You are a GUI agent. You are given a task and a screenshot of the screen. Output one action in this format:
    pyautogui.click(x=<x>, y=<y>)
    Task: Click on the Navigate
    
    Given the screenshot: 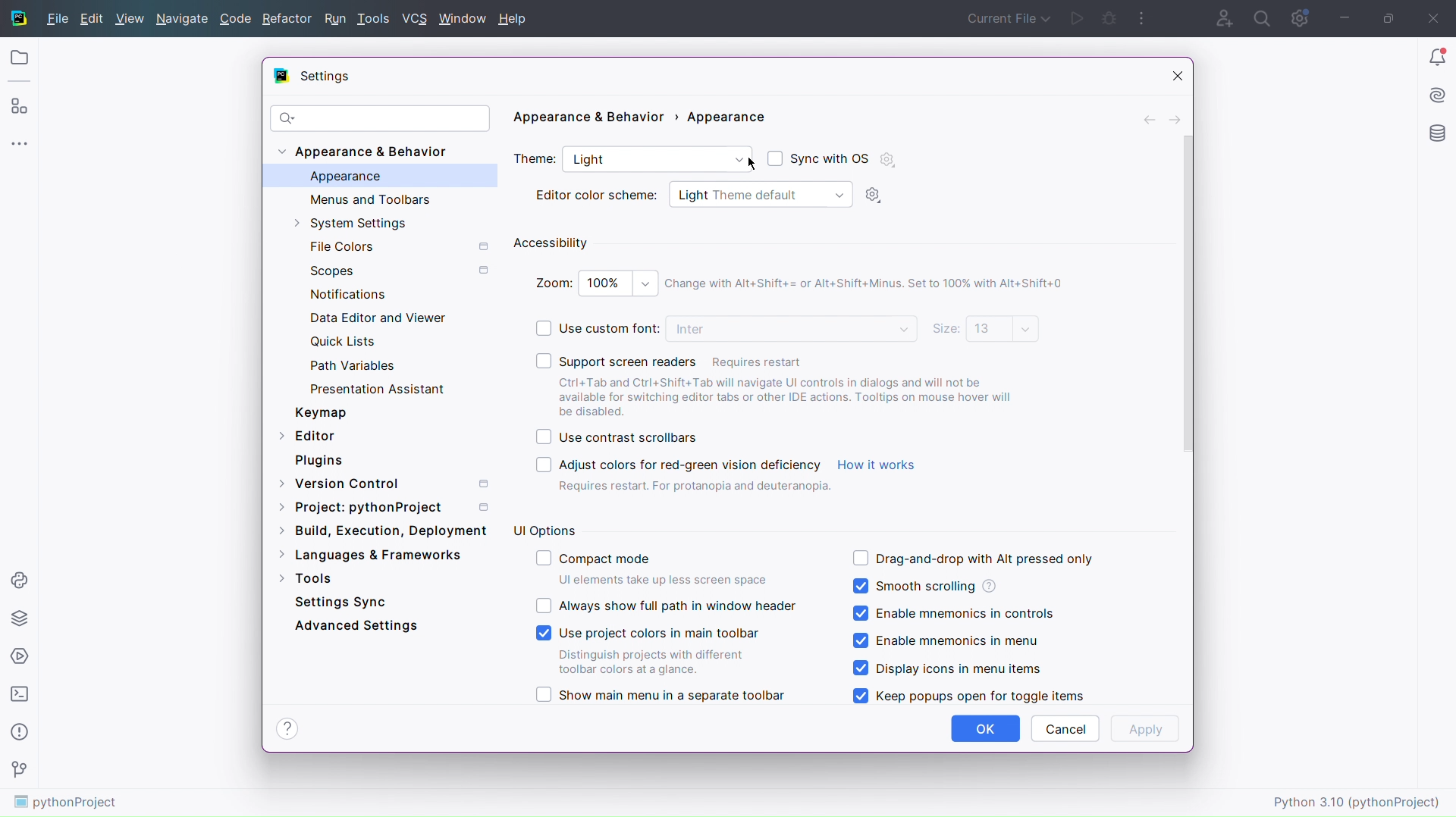 What is the action you would take?
    pyautogui.click(x=184, y=18)
    